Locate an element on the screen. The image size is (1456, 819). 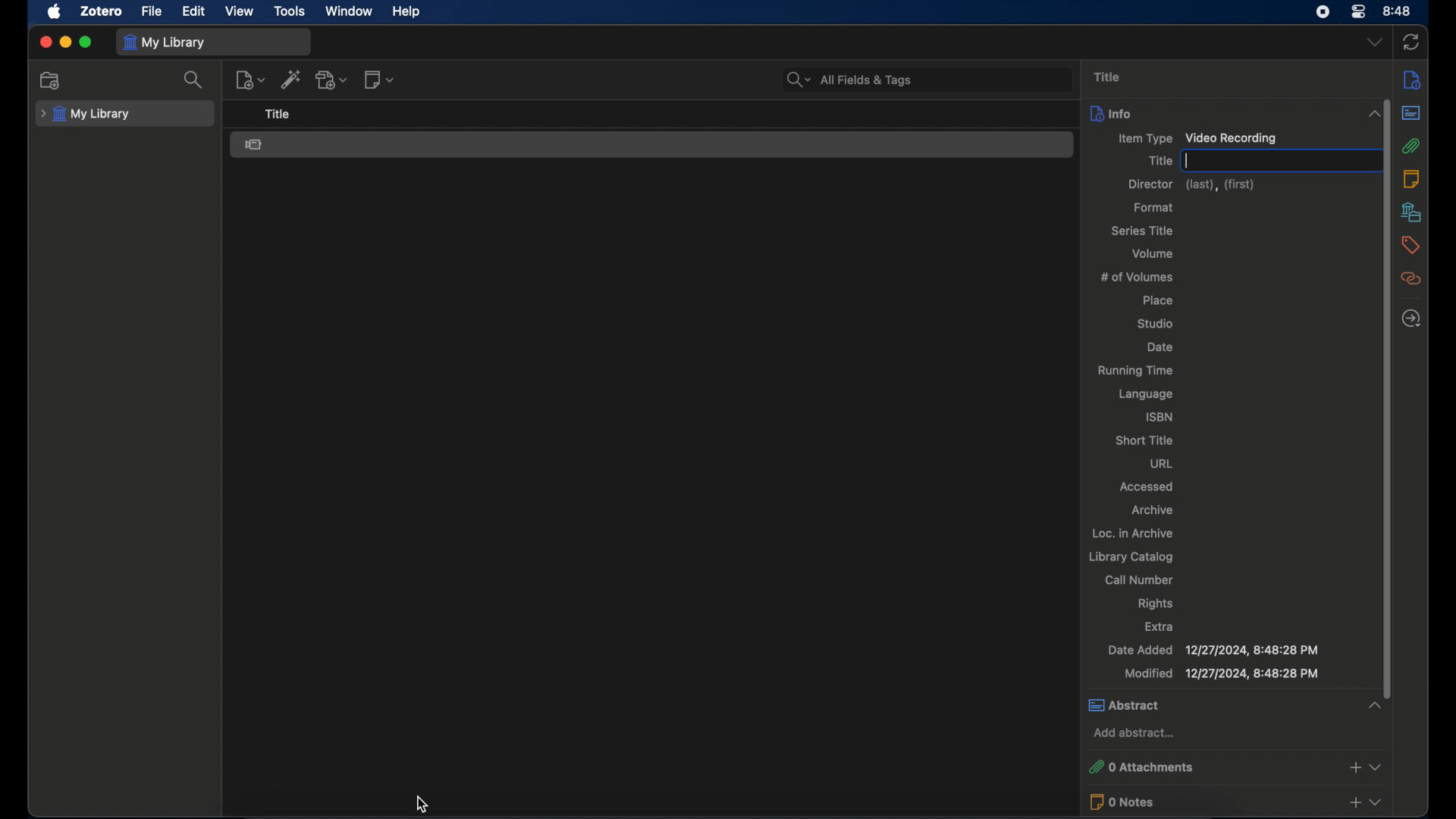
format is located at coordinates (1155, 208).